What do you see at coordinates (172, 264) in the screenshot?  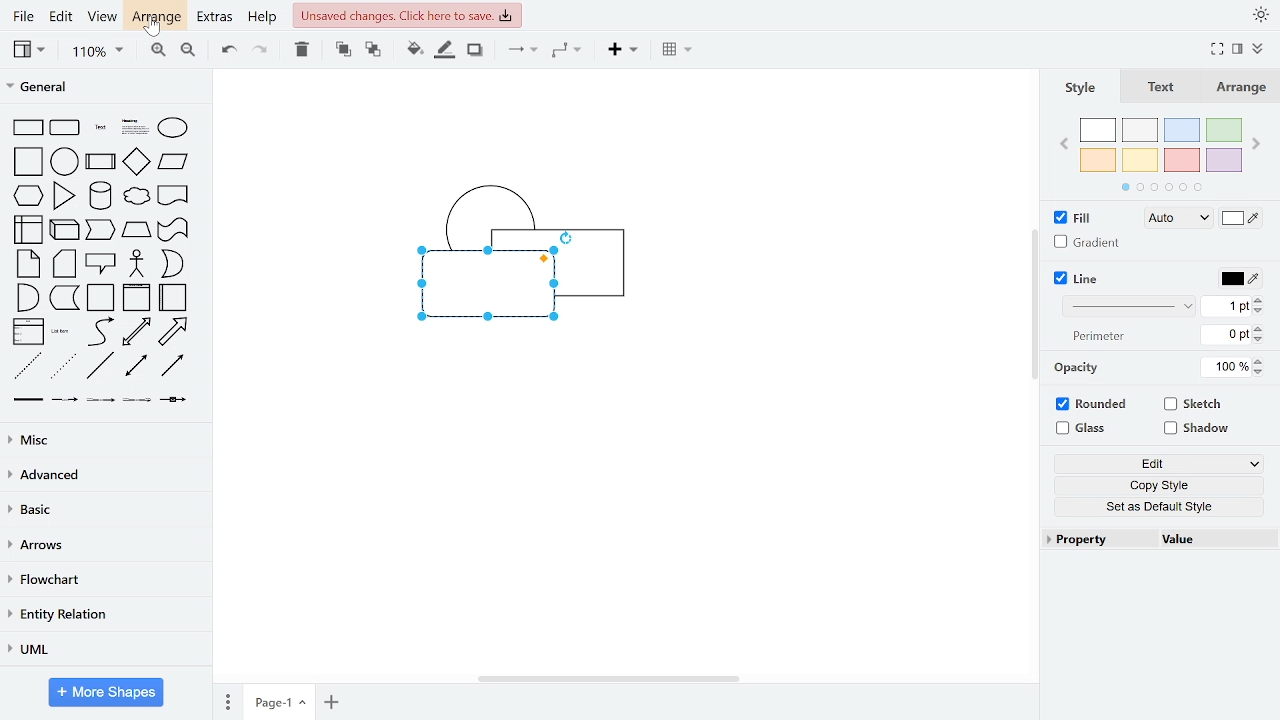 I see `or` at bounding box center [172, 264].